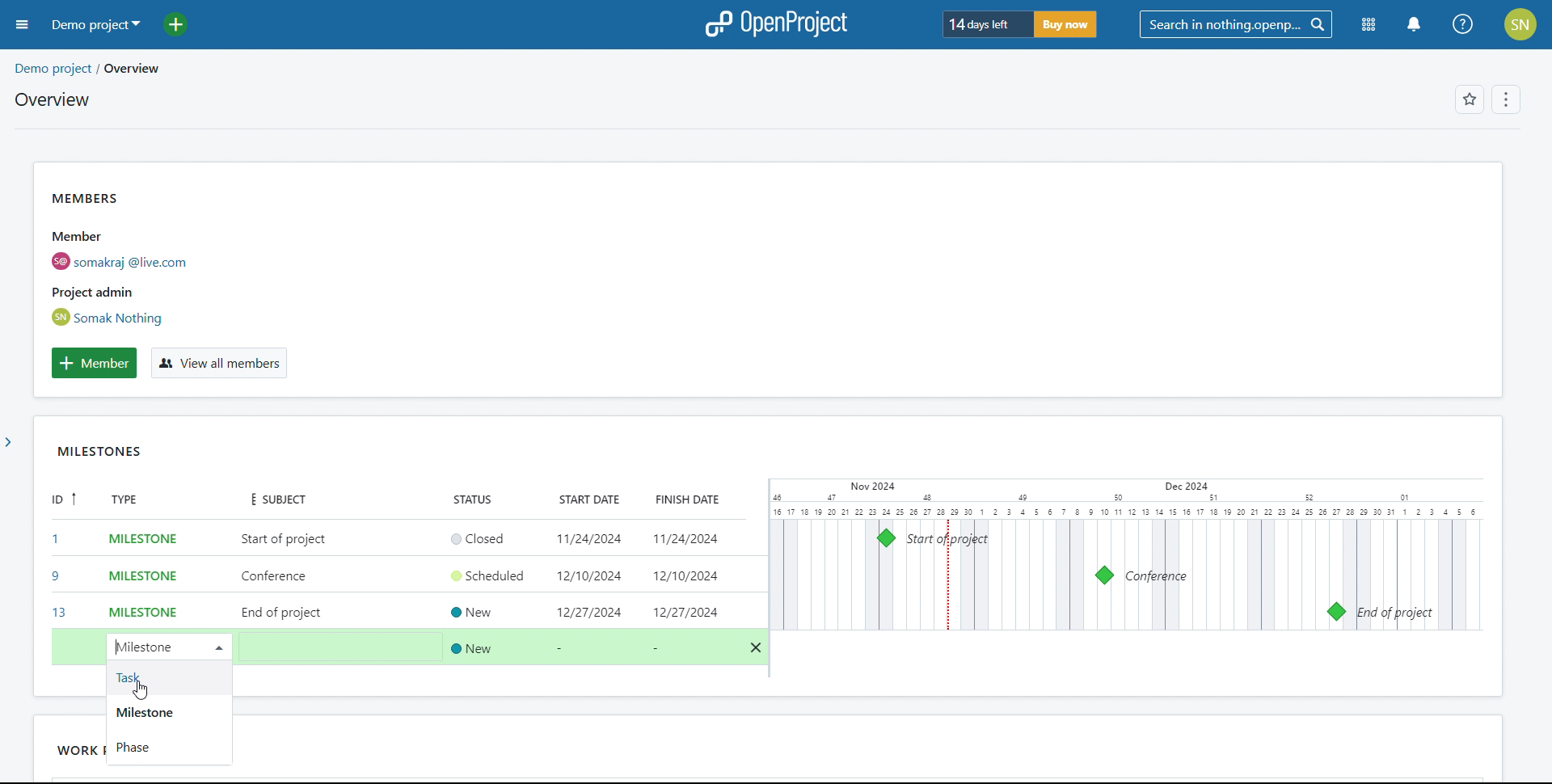 The image size is (1552, 784). I want to click on add member, so click(94, 363).